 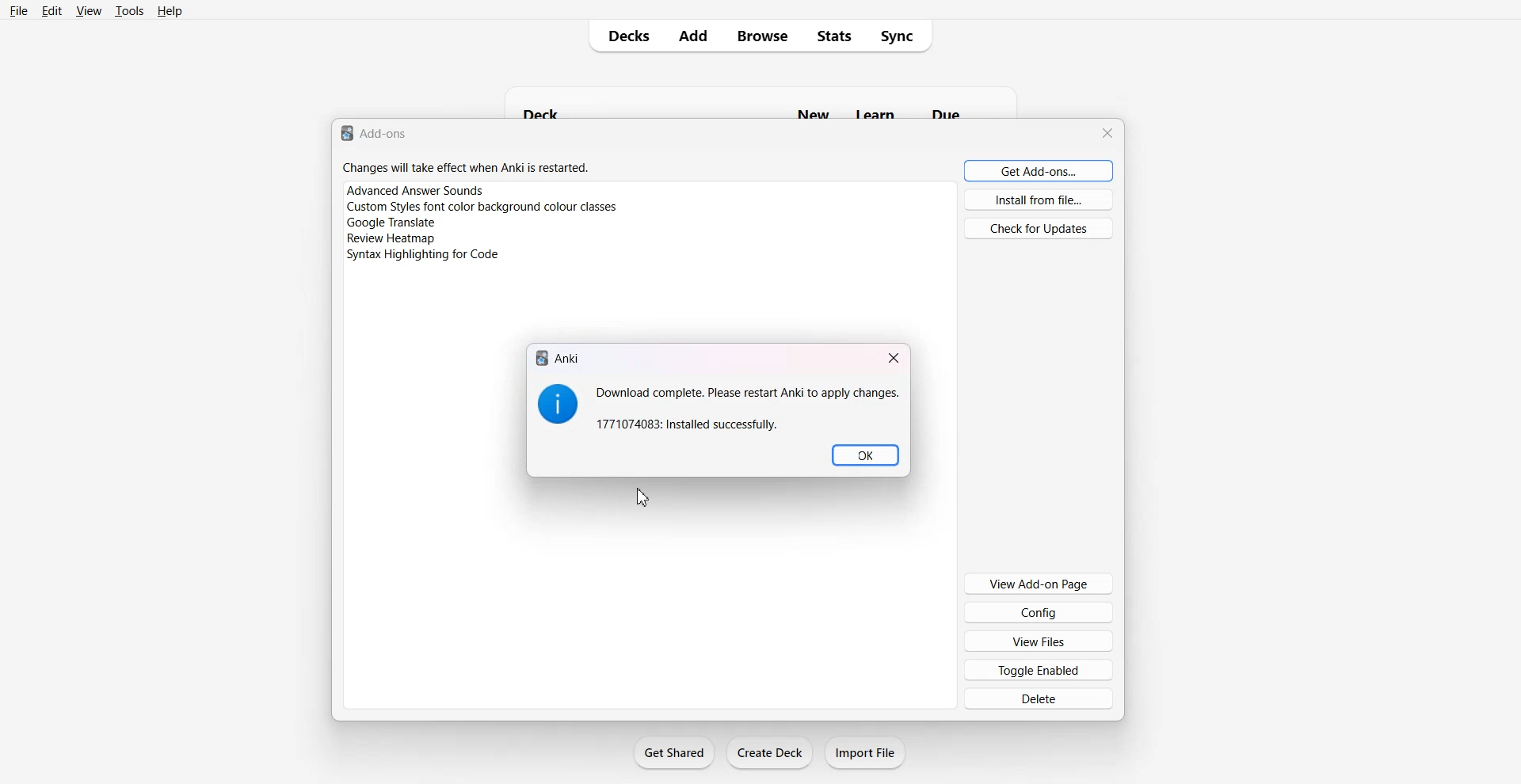 What do you see at coordinates (567, 110) in the screenshot?
I see `deck` at bounding box center [567, 110].